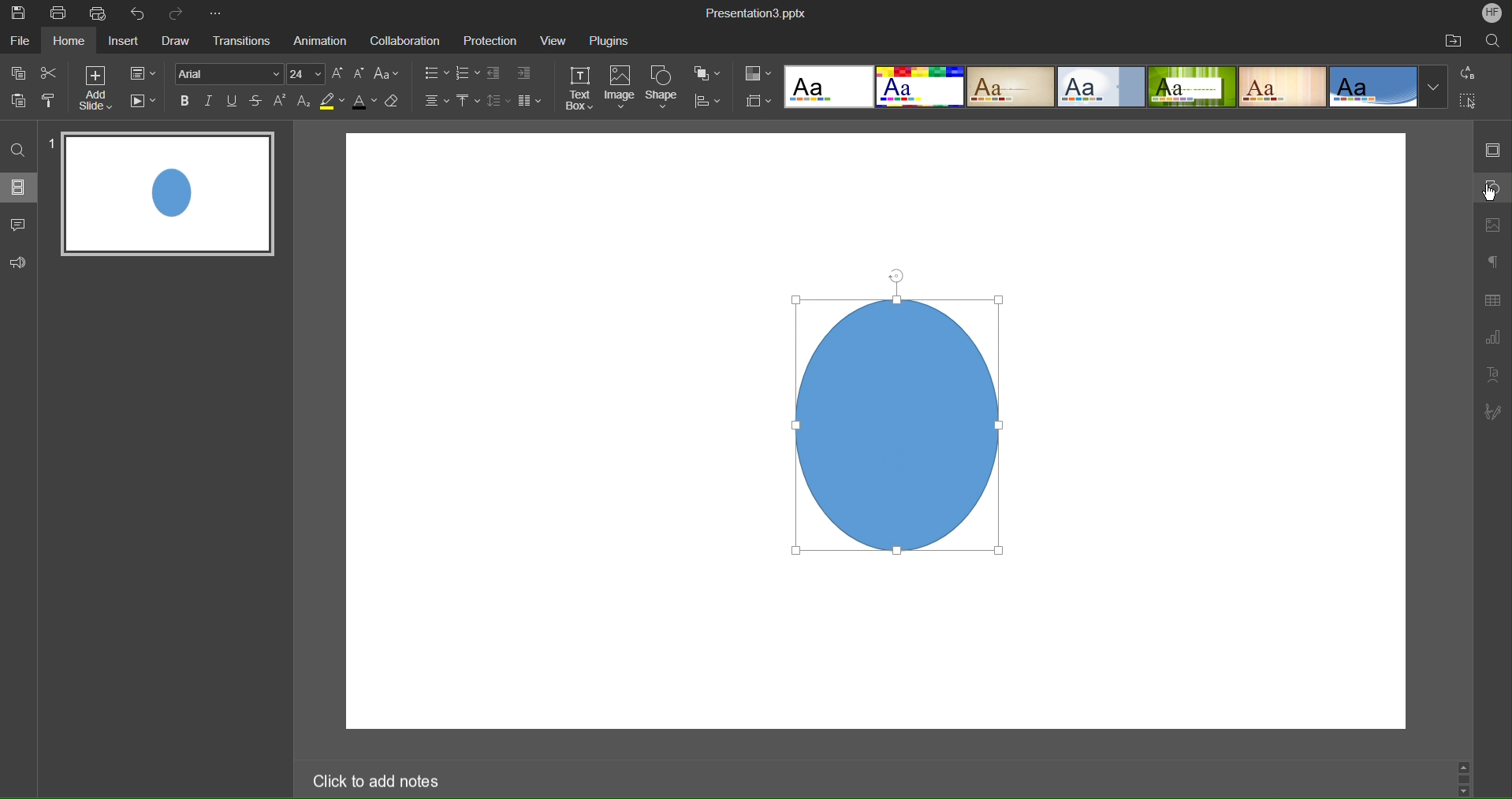 The height and width of the screenshot is (799, 1512). I want to click on Decrease Indent, so click(495, 74).